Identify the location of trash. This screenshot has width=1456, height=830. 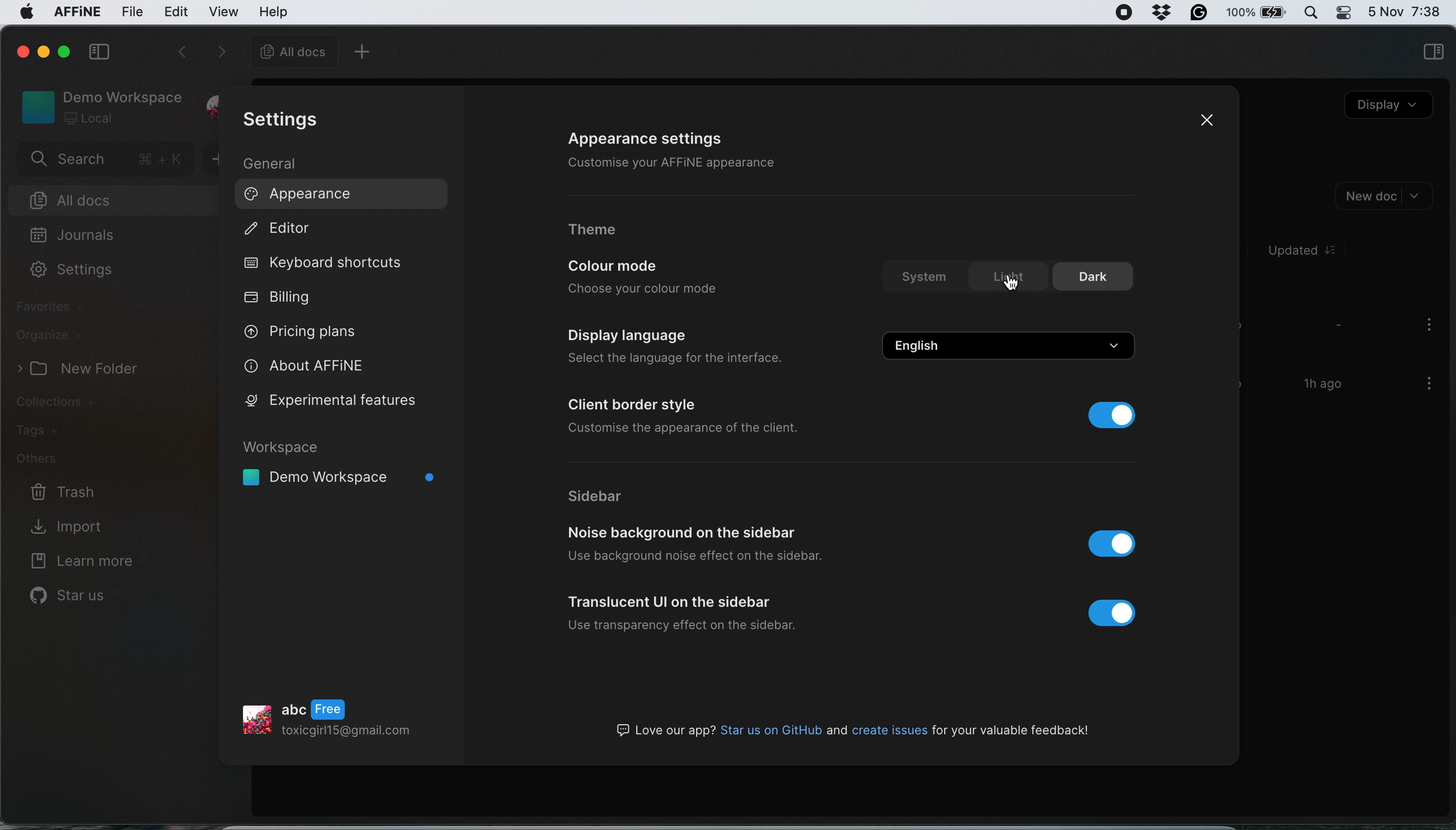
(60, 491).